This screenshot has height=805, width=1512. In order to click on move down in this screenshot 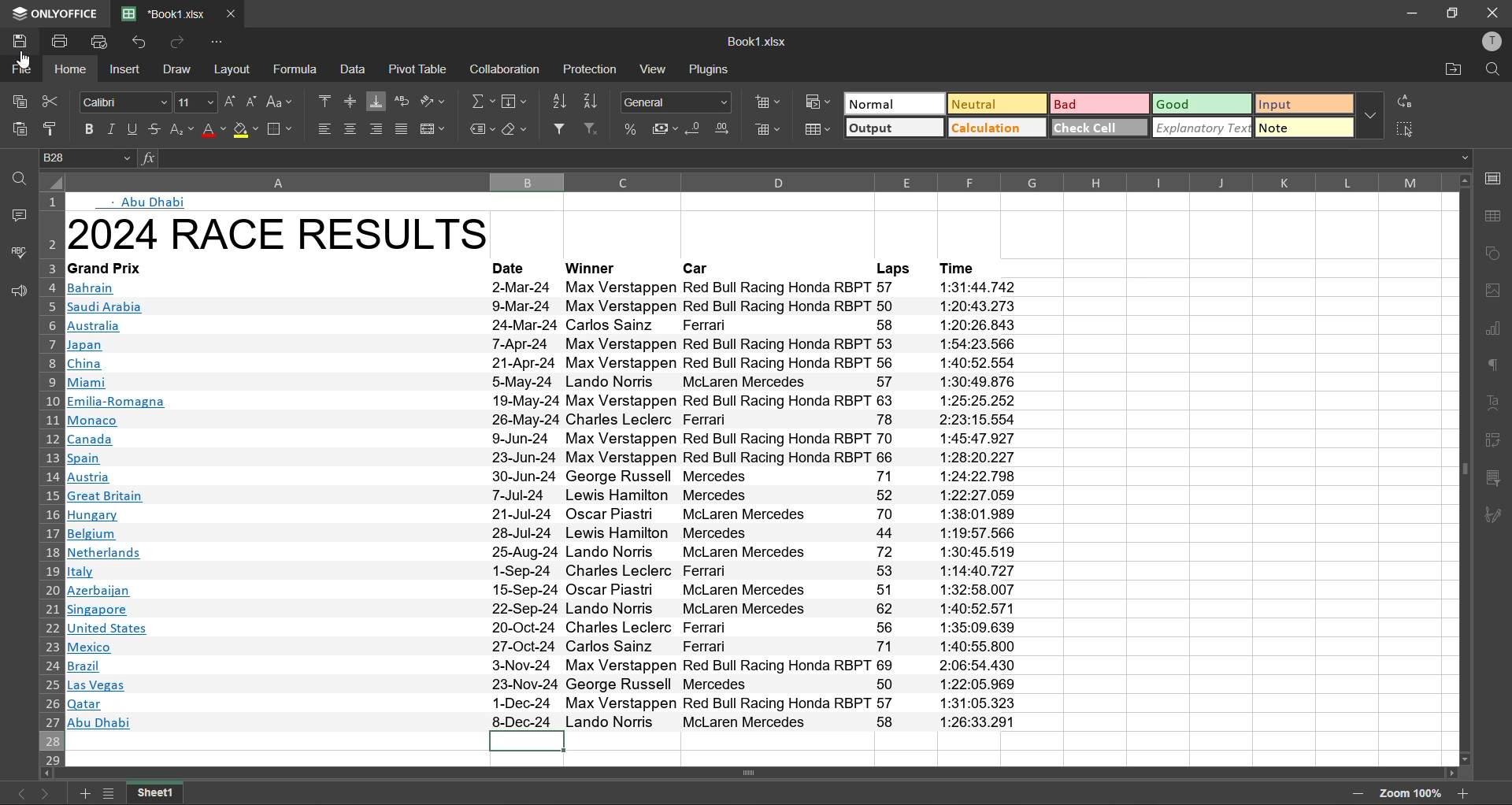, I will do `click(1463, 760)`.